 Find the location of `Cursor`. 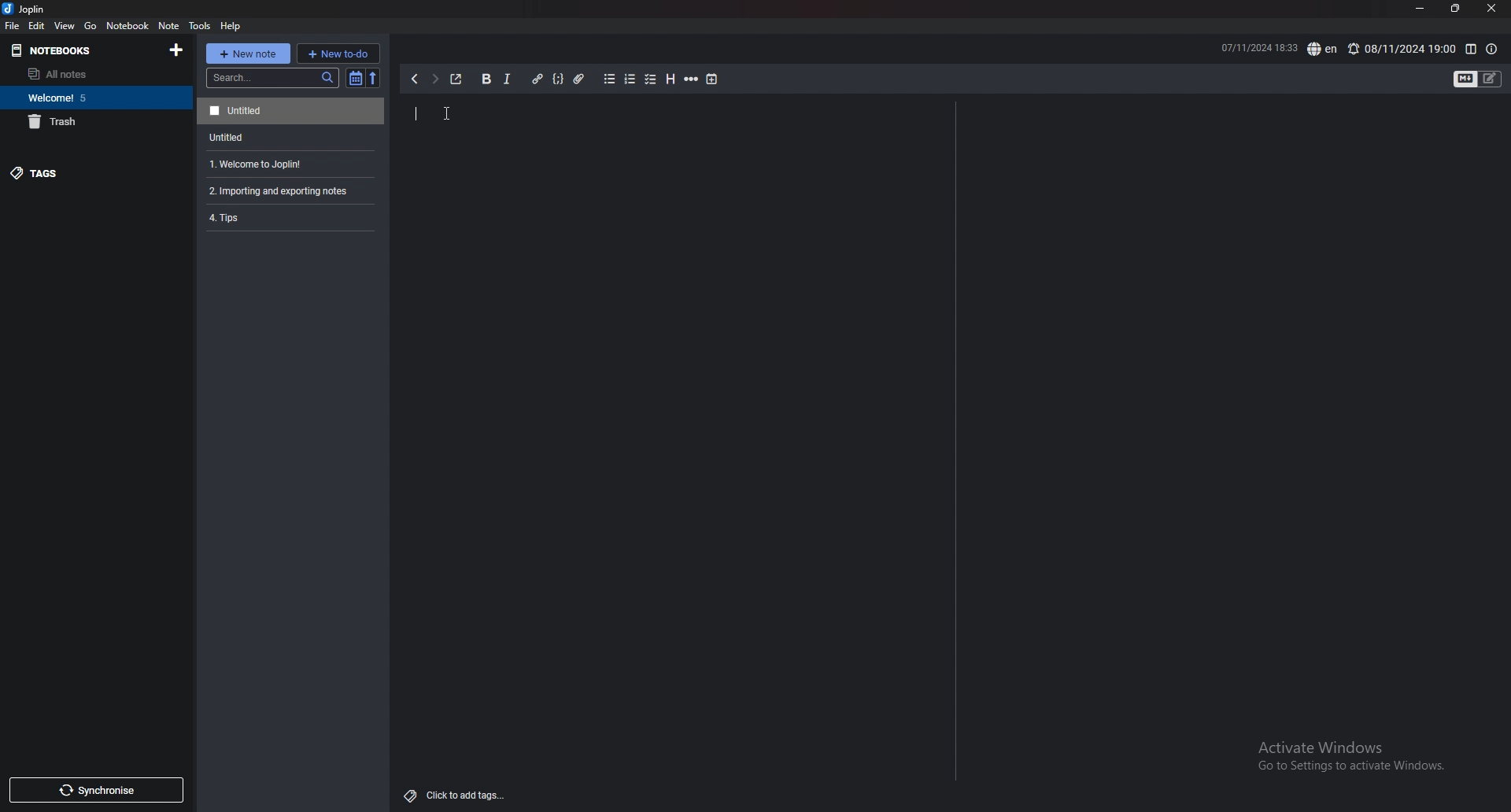

Cursor is located at coordinates (447, 113).